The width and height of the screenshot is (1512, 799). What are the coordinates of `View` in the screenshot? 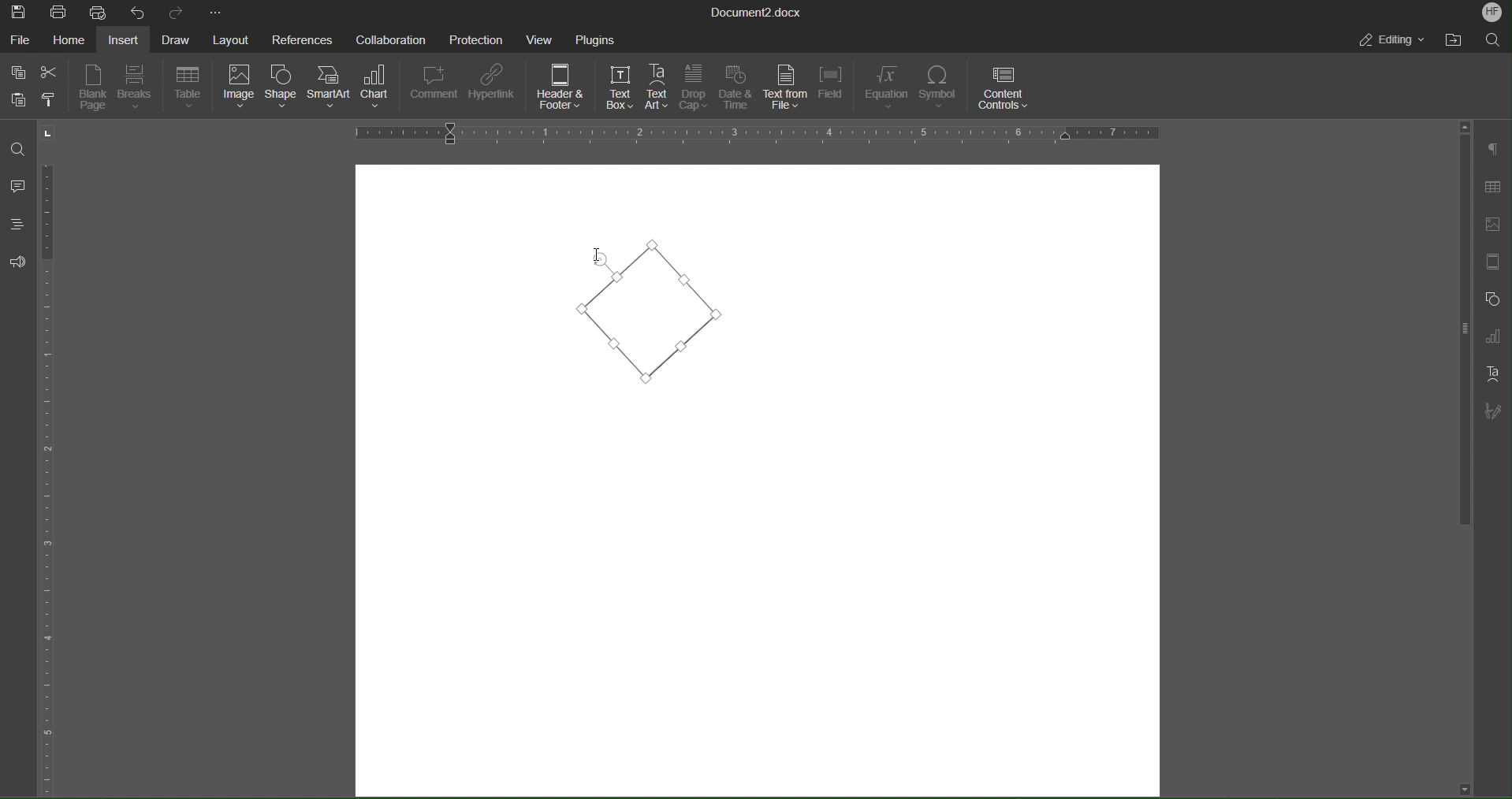 It's located at (542, 38).